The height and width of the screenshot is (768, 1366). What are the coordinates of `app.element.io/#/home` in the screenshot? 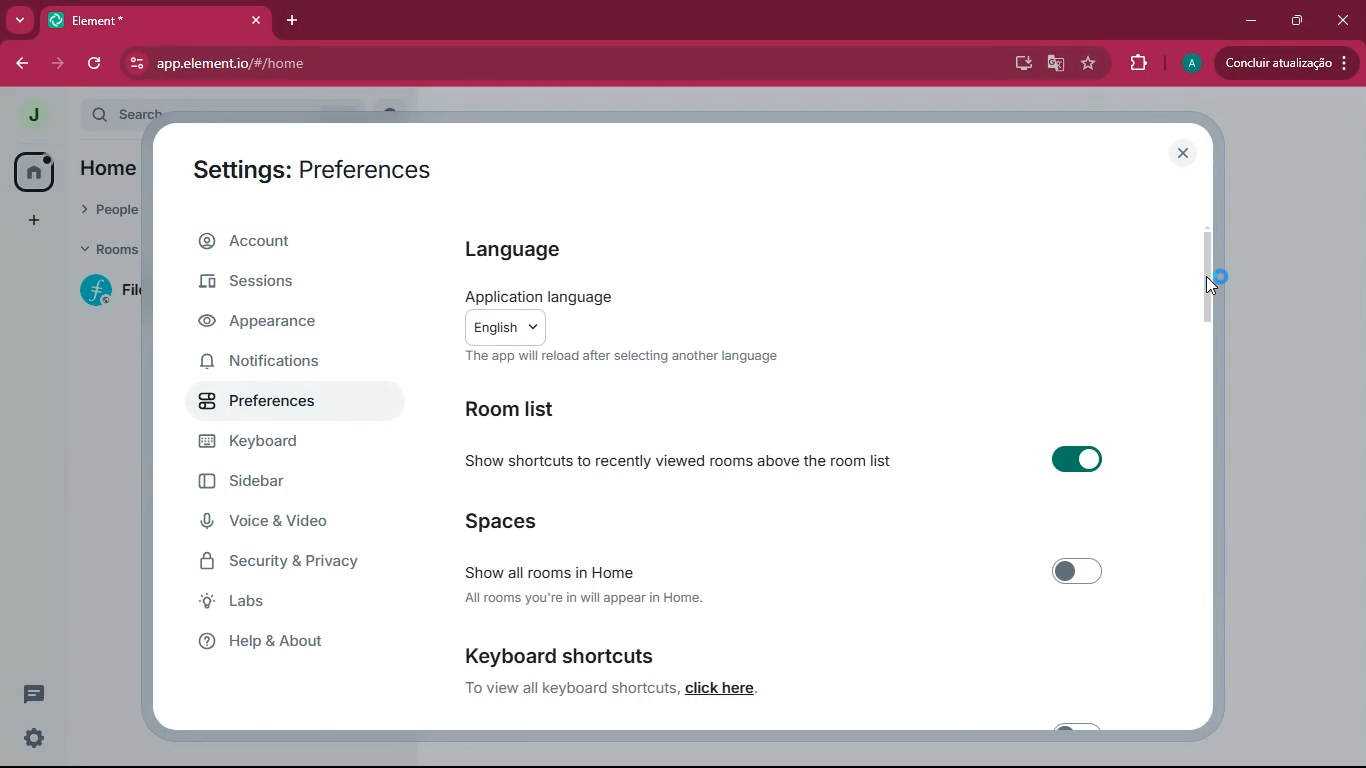 It's located at (406, 65).